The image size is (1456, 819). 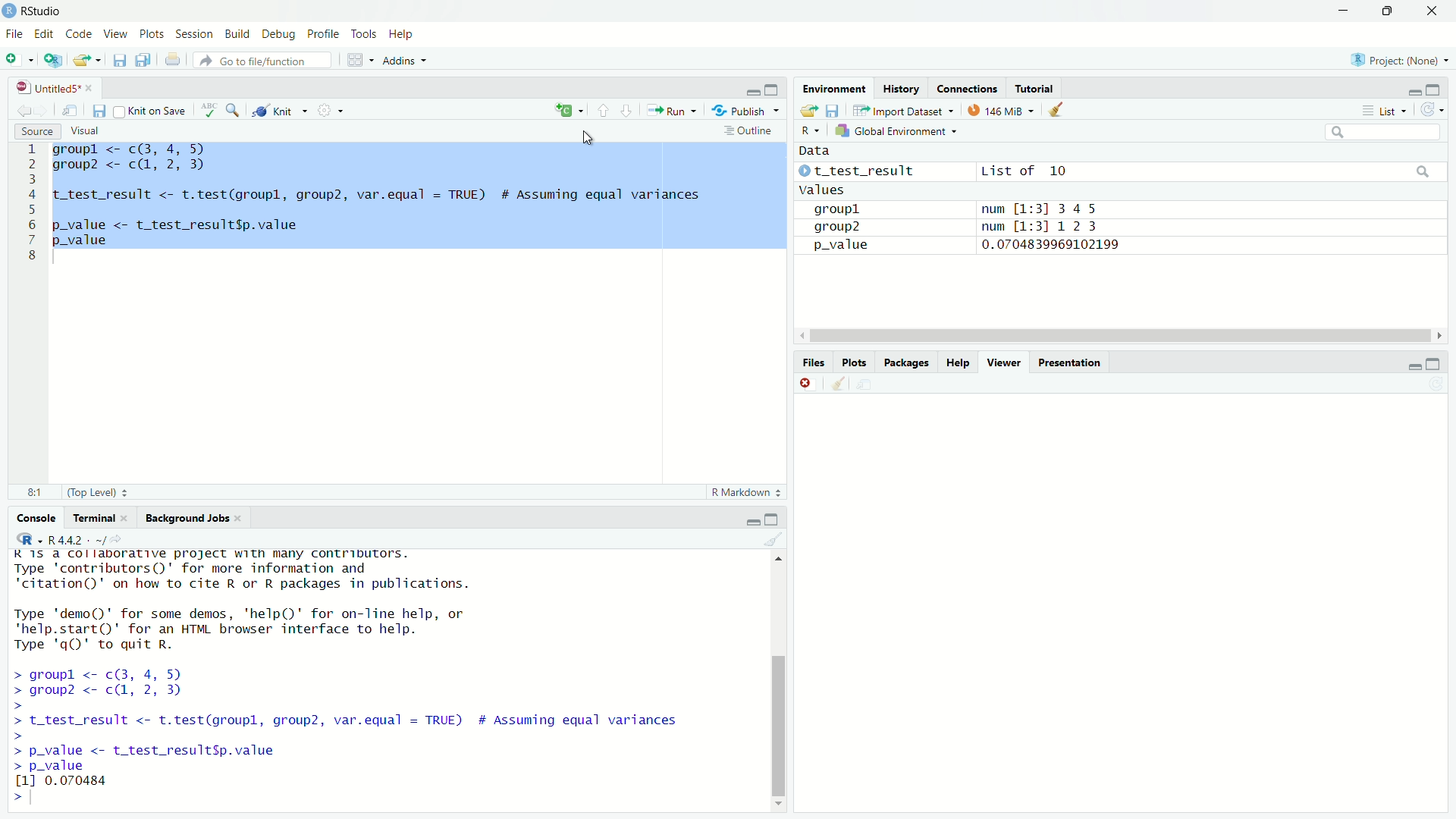 What do you see at coordinates (1341, 13) in the screenshot?
I see `MINIMISE` at bounding box center [1341, 13].